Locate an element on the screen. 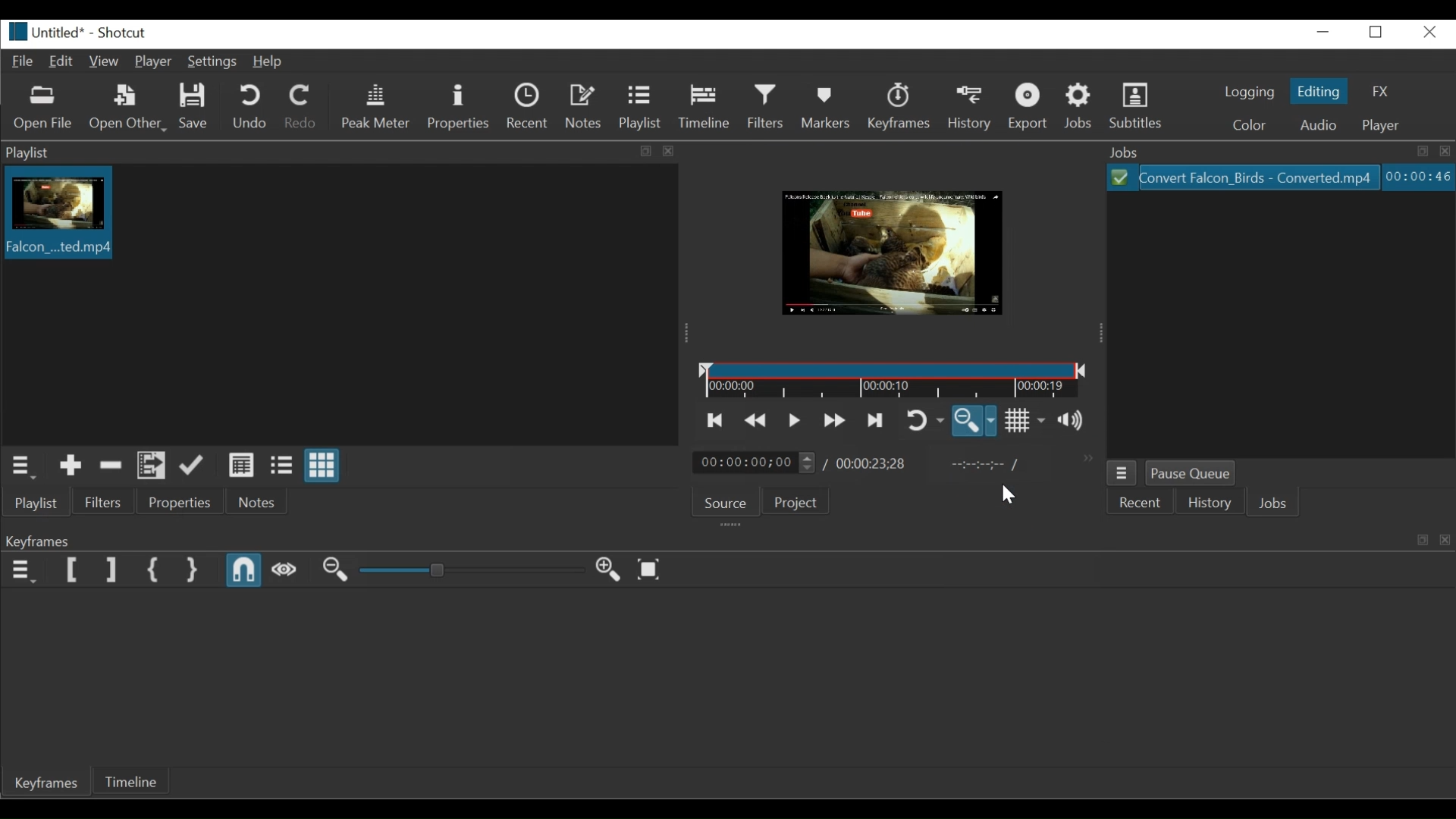 The width and height of the screenshot is (1456, 819). Filter is located at coordinates (103, 500).